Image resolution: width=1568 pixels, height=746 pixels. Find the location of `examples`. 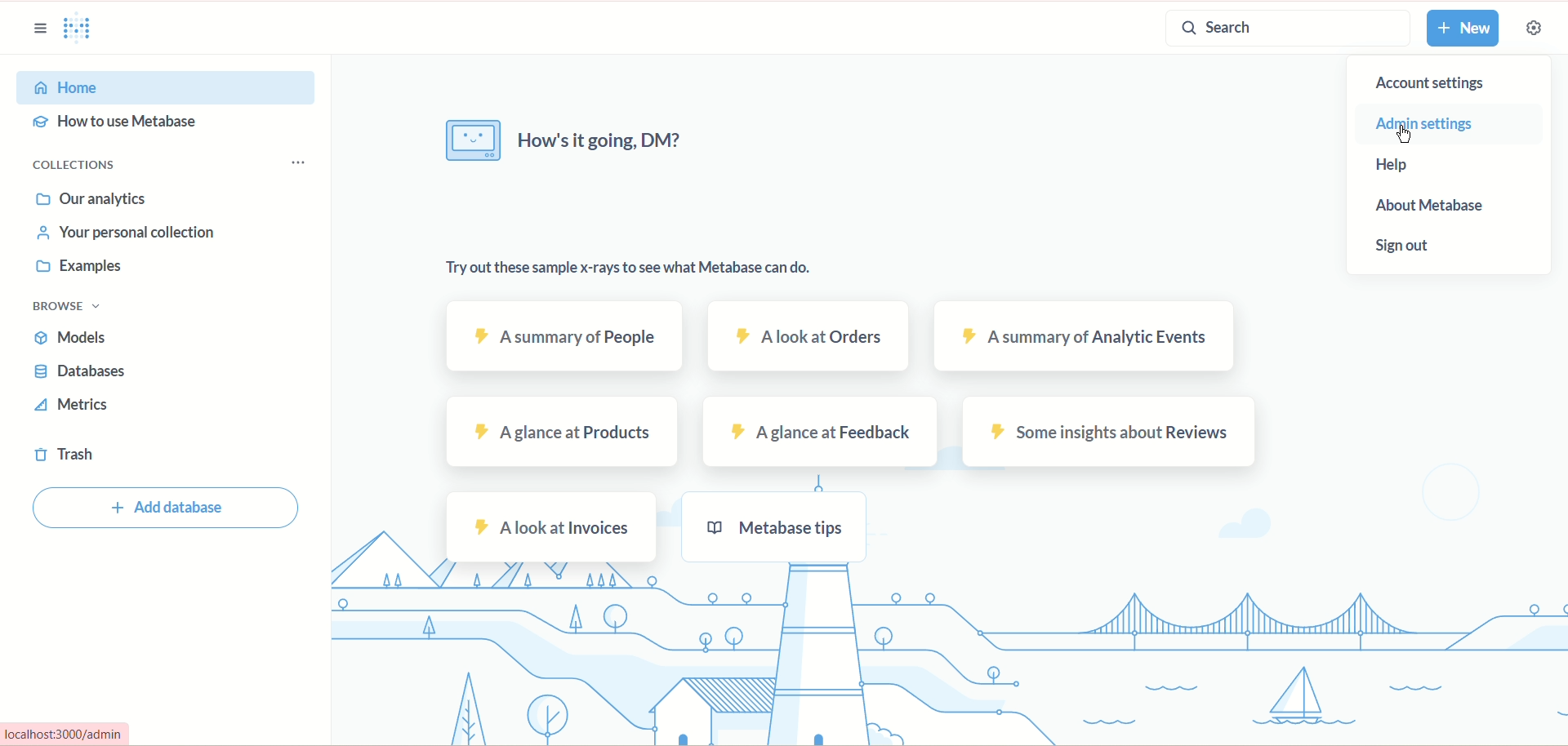

examples is located at coordinates (85, 266).